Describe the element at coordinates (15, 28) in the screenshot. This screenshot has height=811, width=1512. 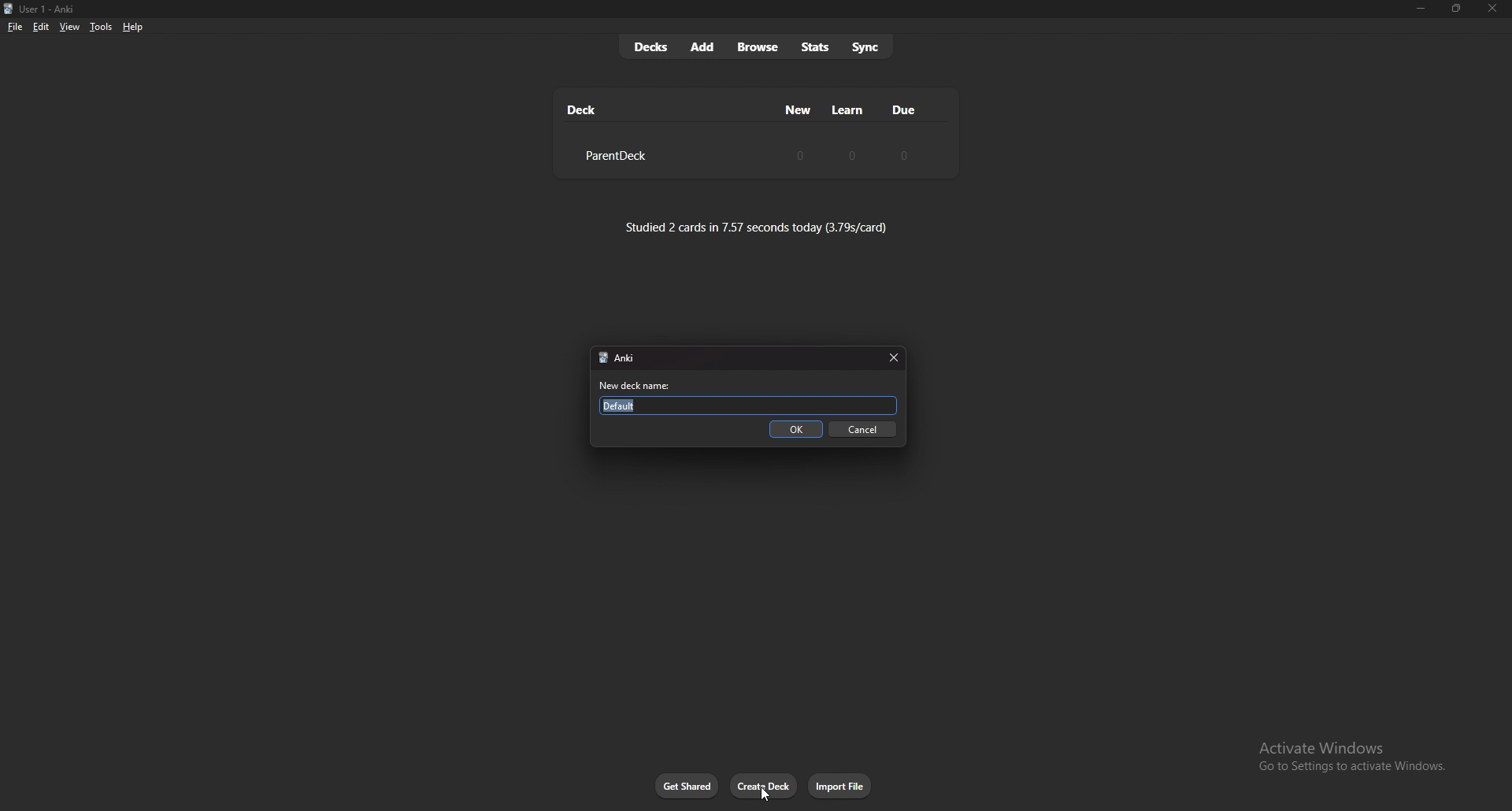
I see `file` at that location.